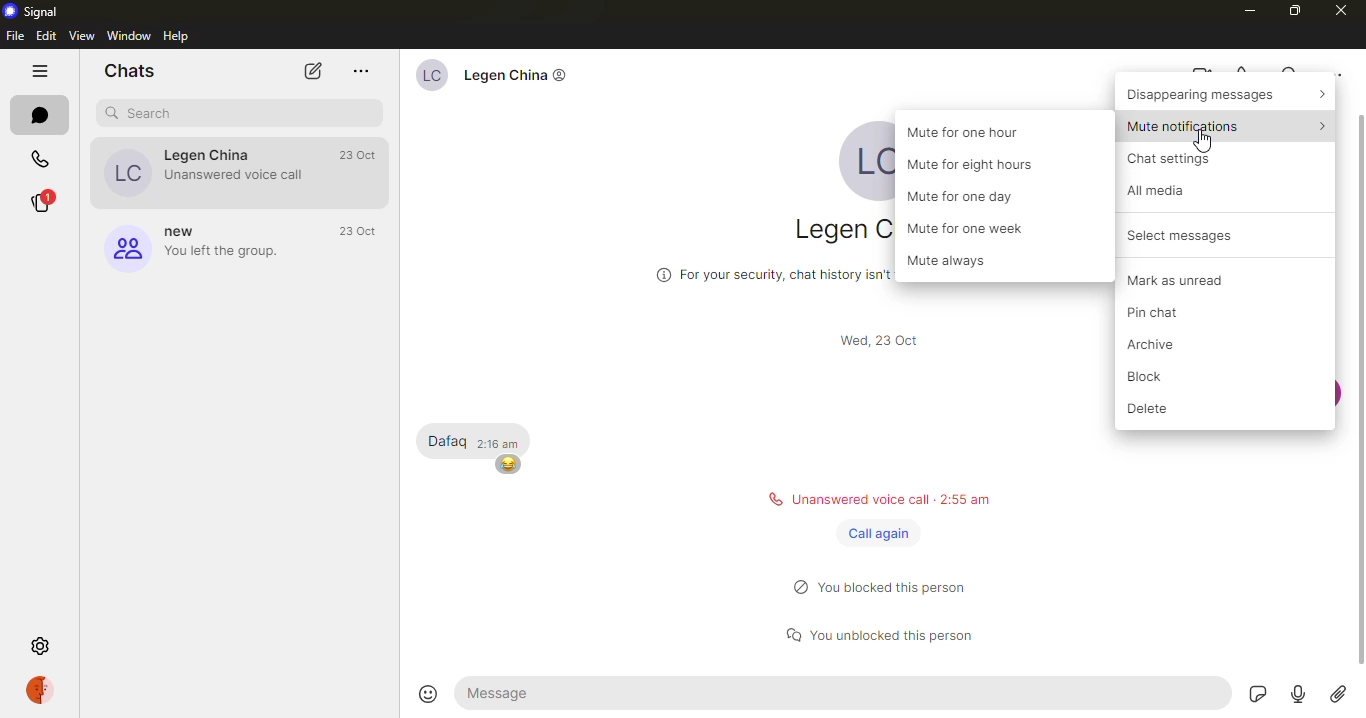  Describe the element at coordinates (204, 171) in the screenshot. I see `contact` at that location.